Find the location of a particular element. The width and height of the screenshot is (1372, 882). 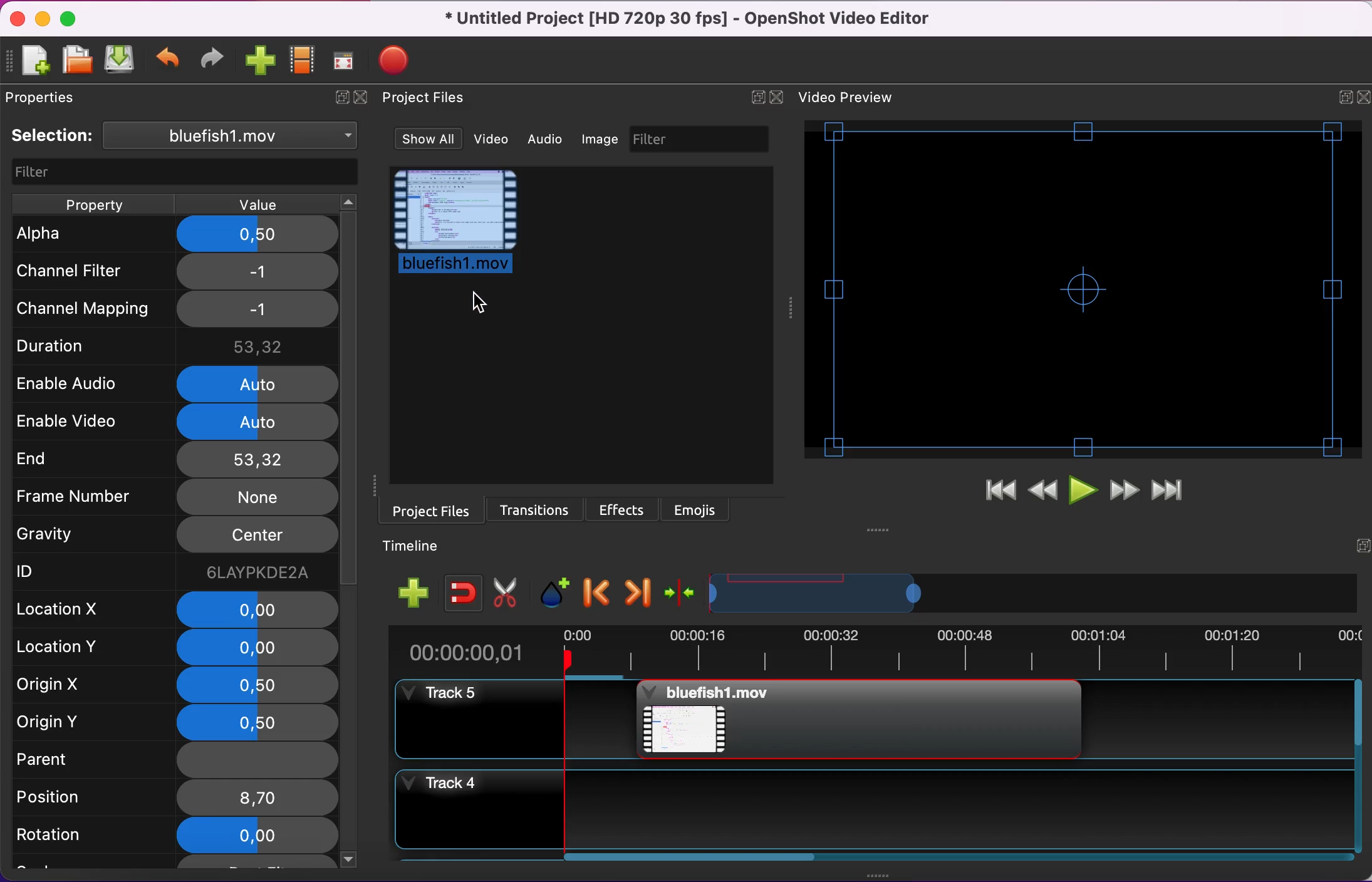

emojis is located at coordinates (697, 508).